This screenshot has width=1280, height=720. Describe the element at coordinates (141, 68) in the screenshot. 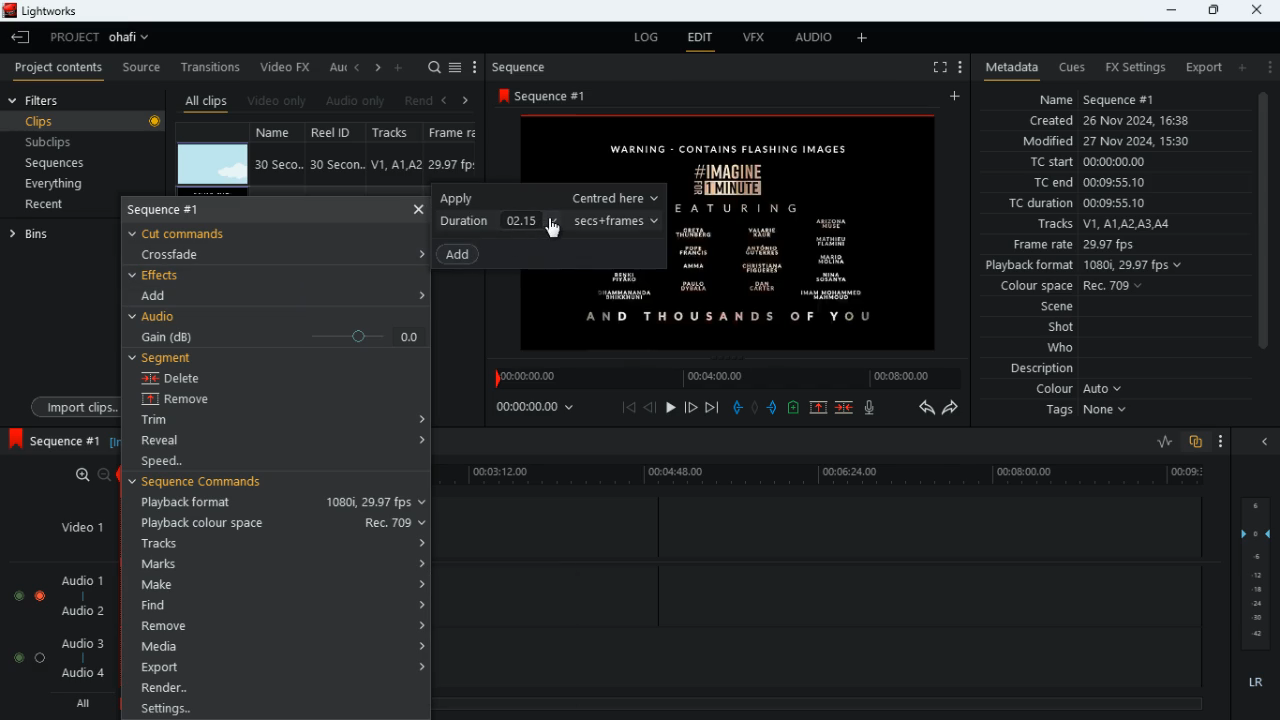

I see `source` at that location.